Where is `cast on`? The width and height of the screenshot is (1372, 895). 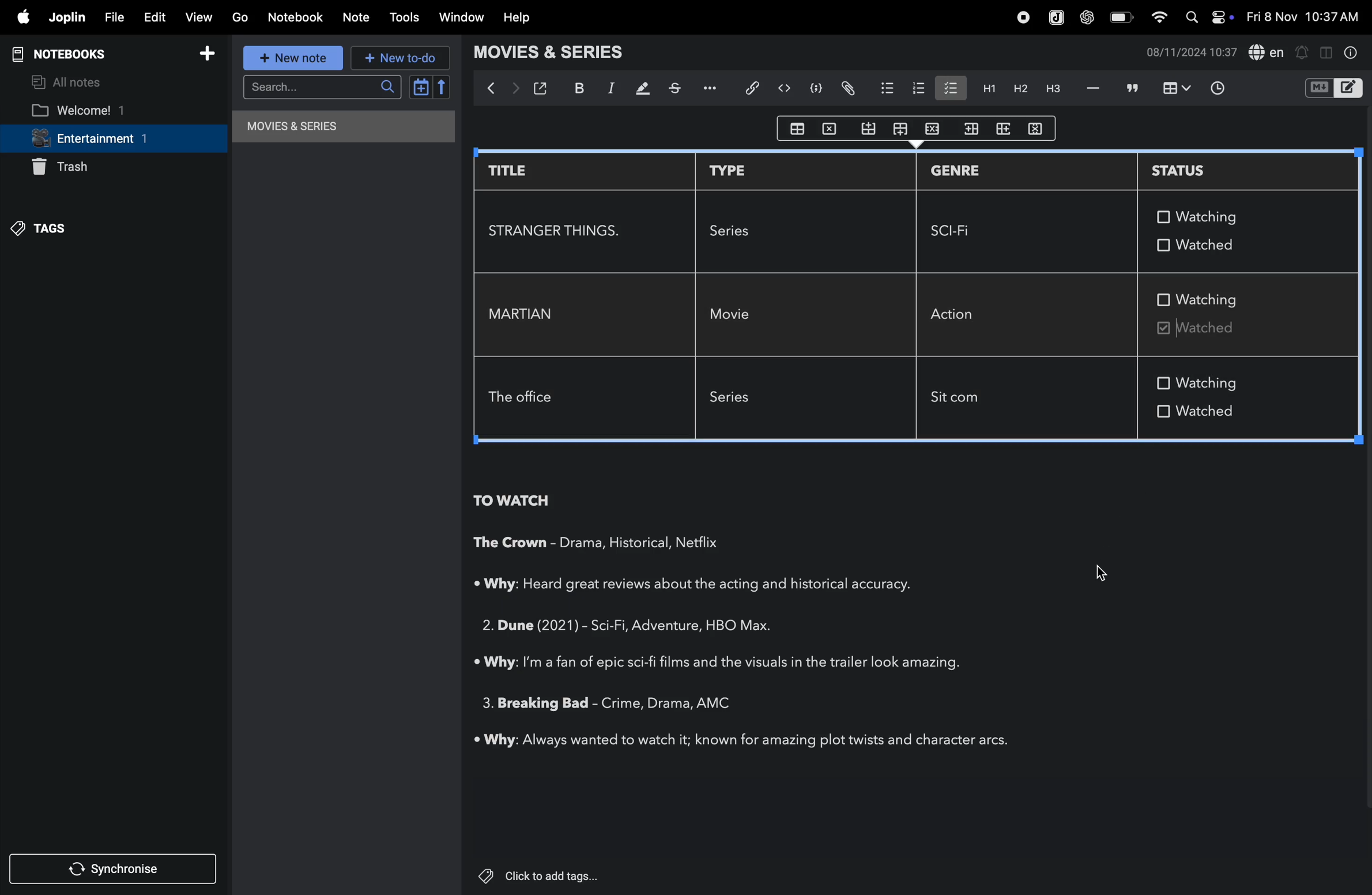
cast on is located at coordinates (748, 626).